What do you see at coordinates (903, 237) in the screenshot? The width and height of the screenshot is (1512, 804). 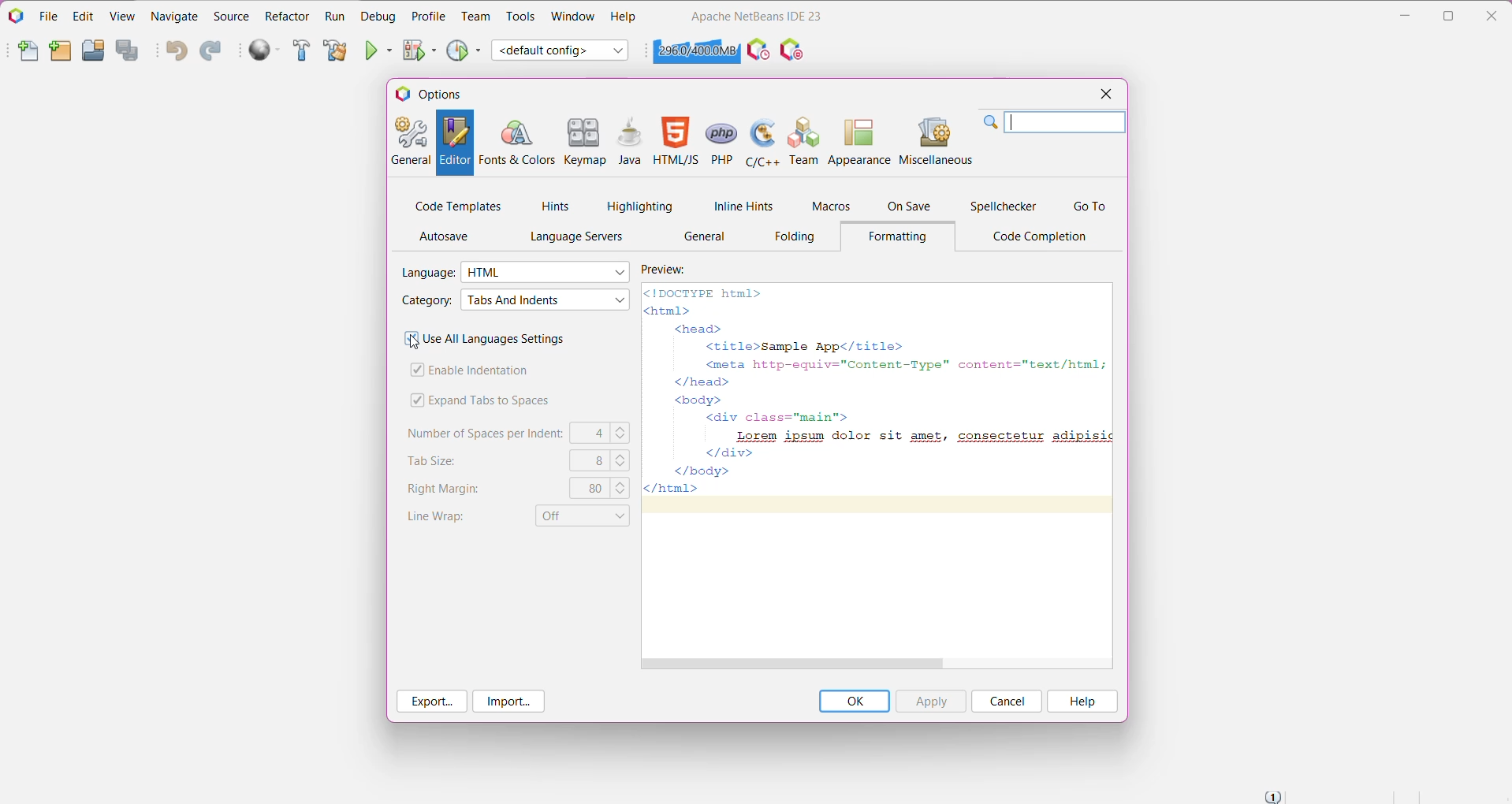 I see `Formatting Tab opened` at bounding box center [903, 237].